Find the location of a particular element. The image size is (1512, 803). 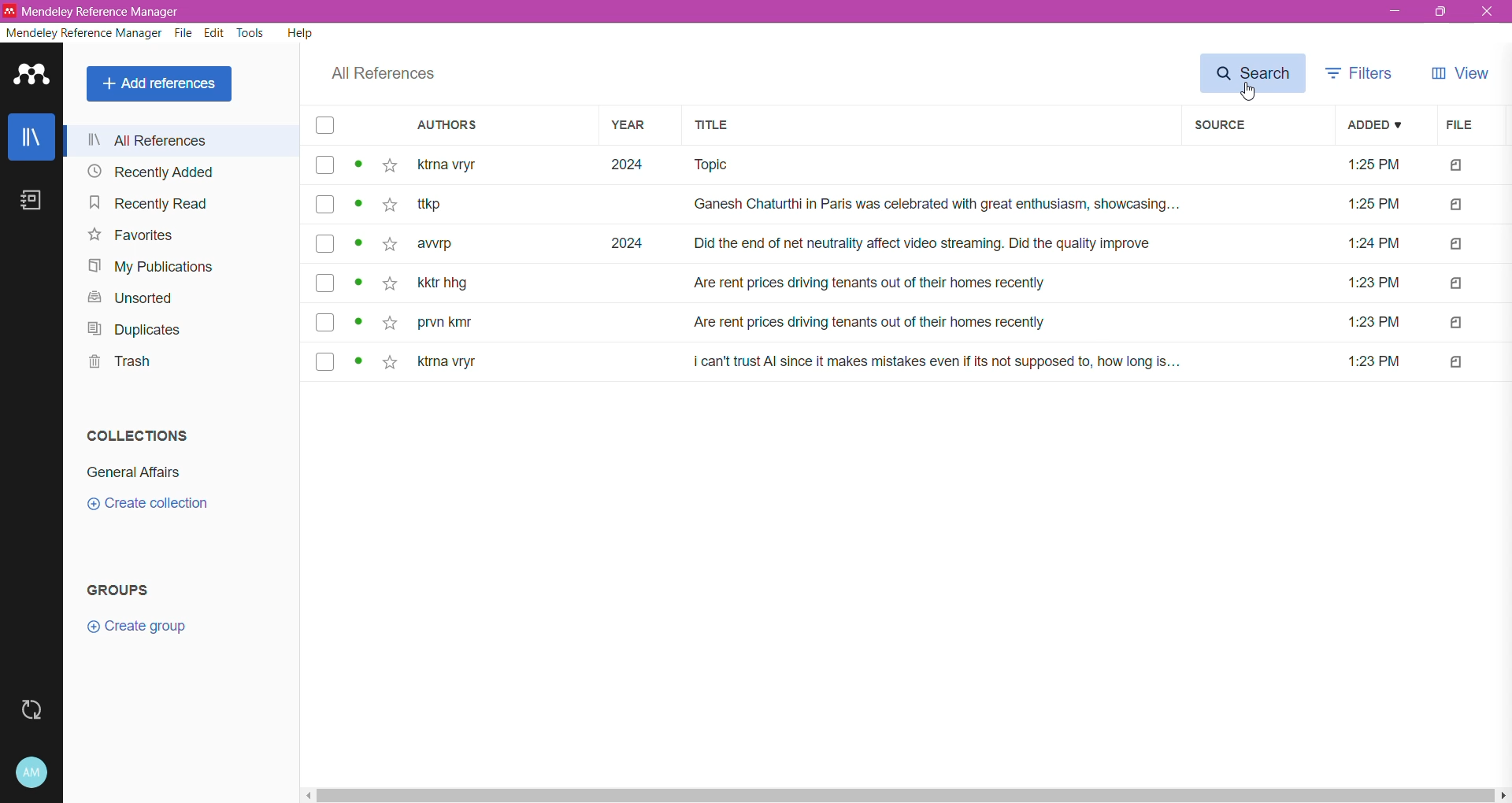

Help is located at coordinates (299, 35).